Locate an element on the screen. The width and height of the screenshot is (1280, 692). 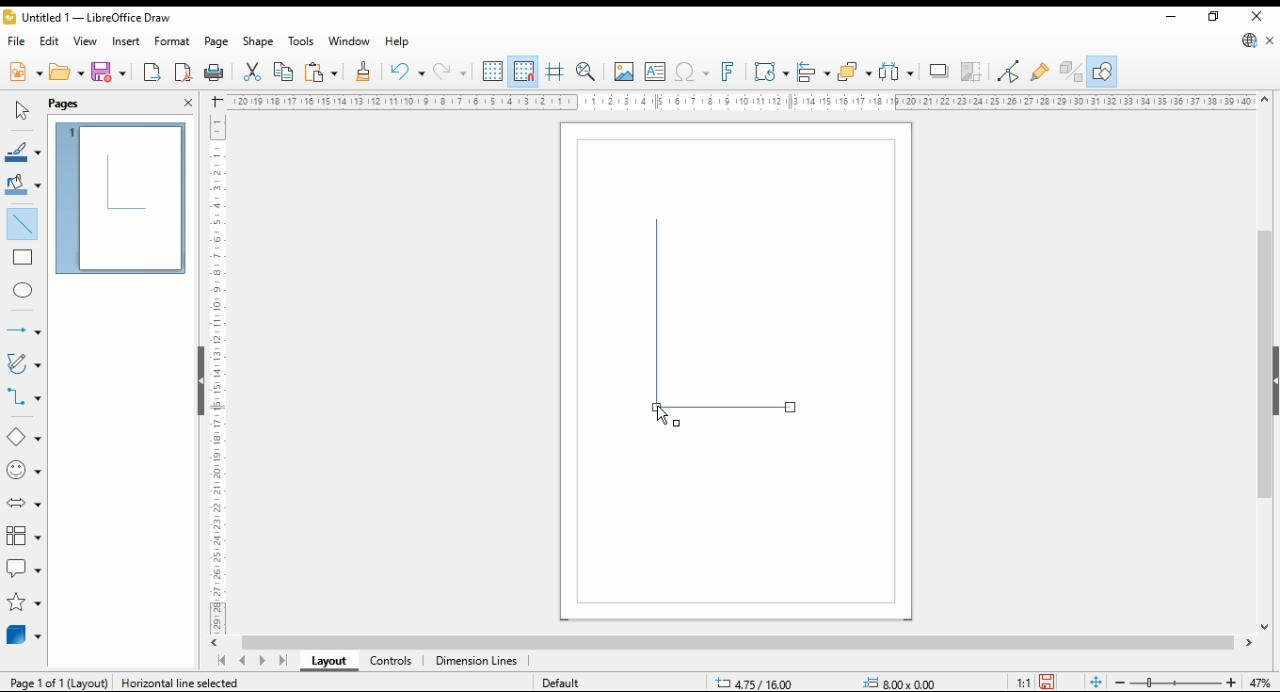
icon and filename is located at coordinates (90, 20).